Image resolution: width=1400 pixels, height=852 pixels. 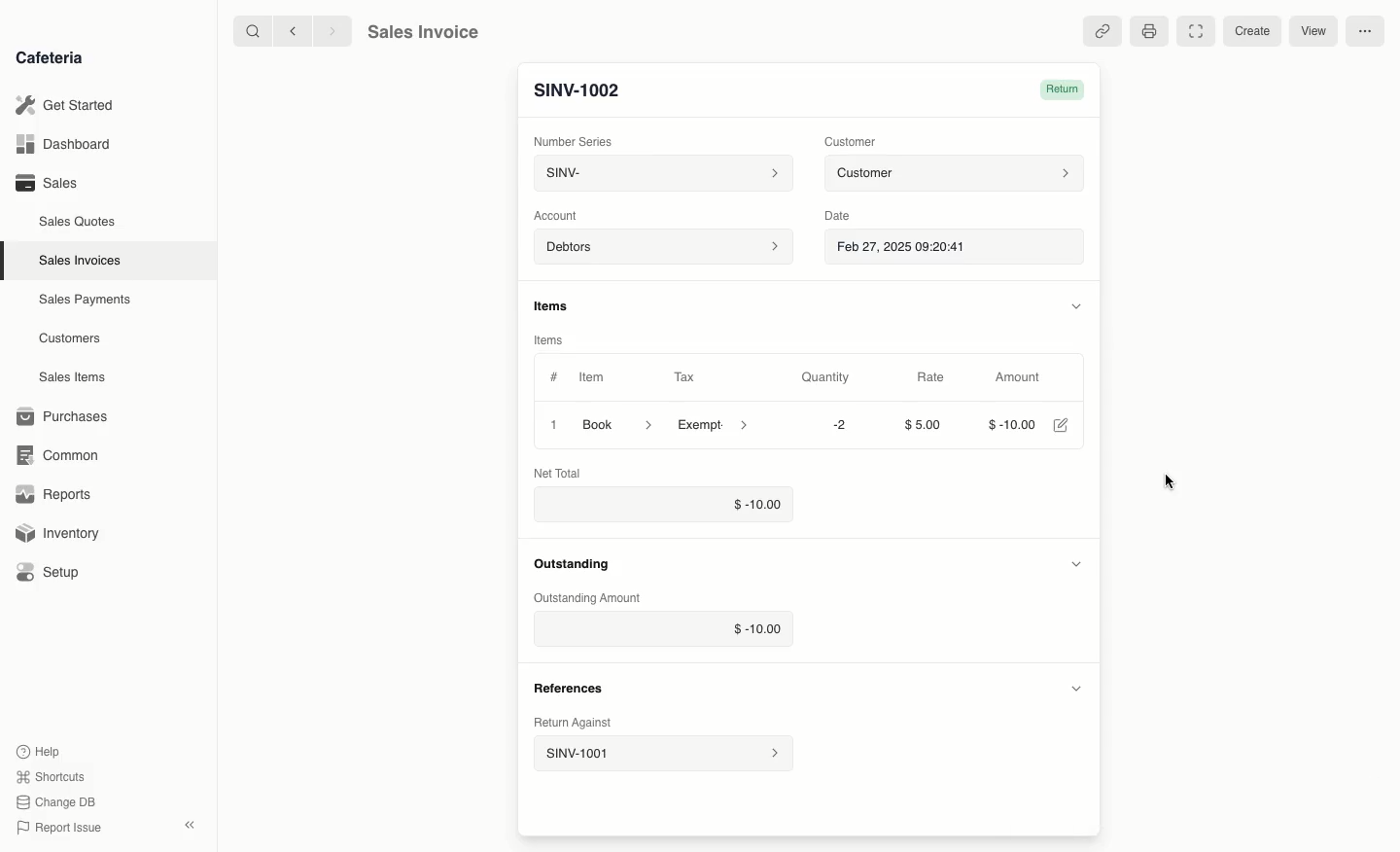 I want to click on search, so click(x=250, y=30).